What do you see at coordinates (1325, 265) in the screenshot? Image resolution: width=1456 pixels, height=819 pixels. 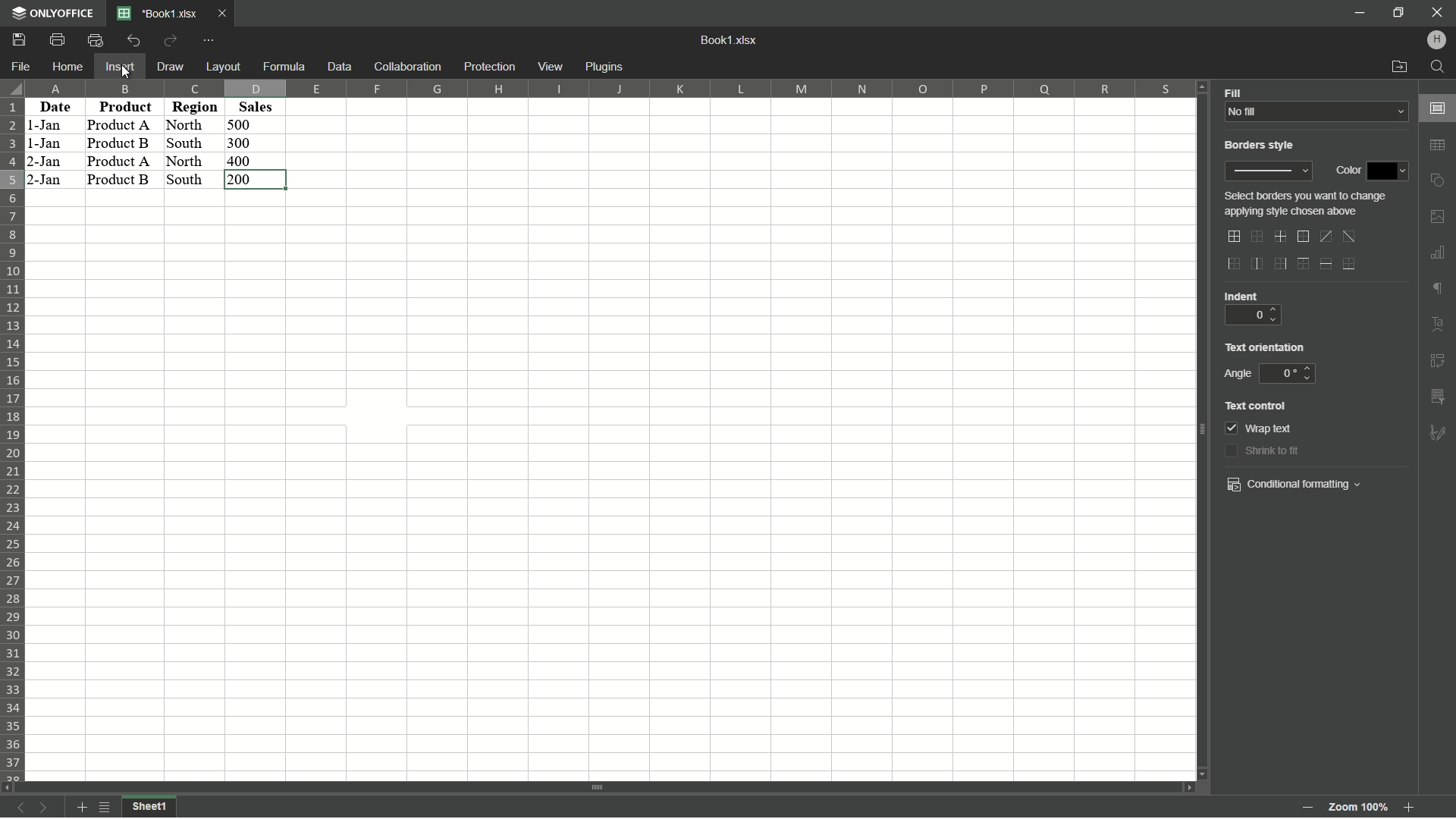 I see `horizontal inner line` at bounding box center [1325, 265].